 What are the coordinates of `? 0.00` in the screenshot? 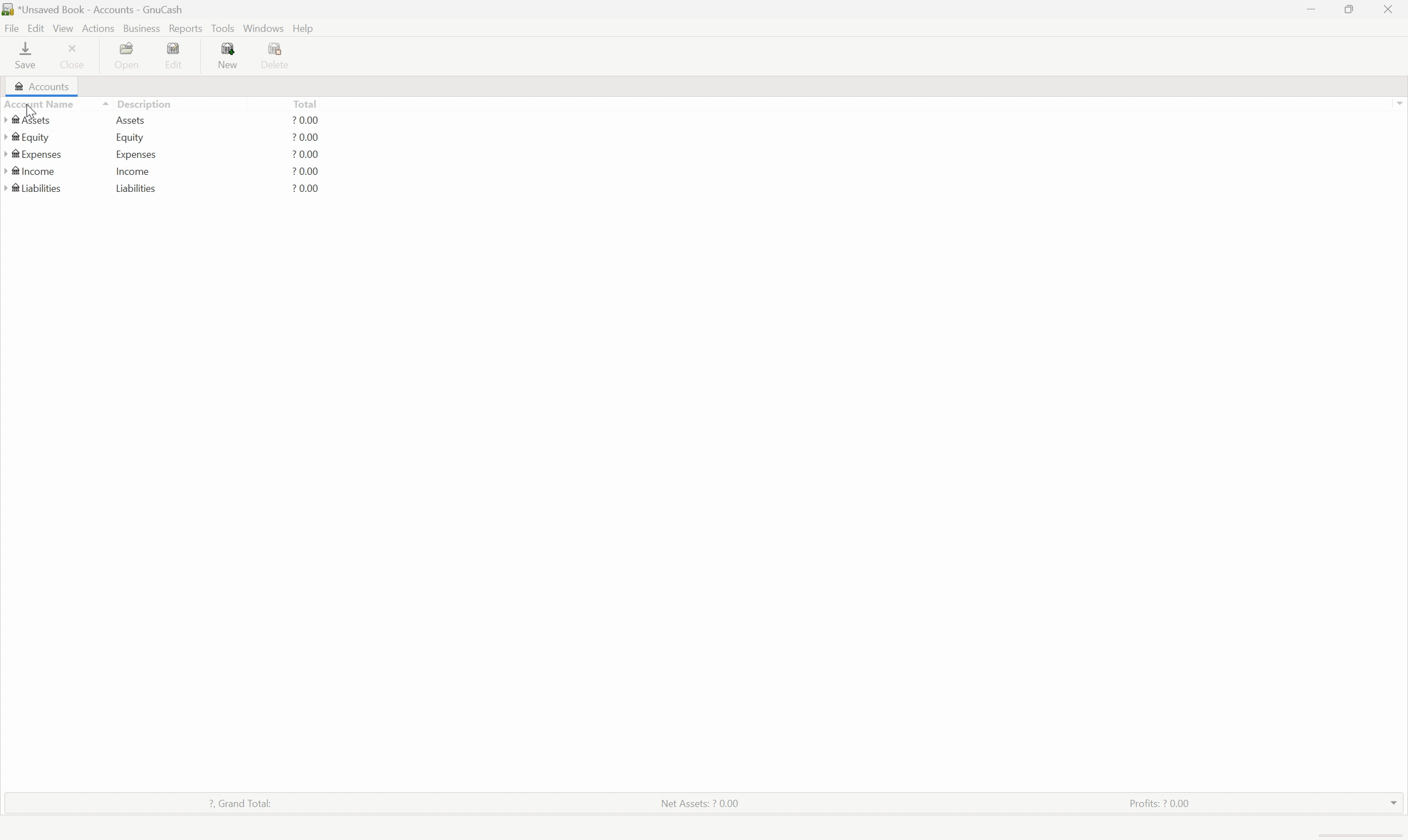 It's located at (306, 172).